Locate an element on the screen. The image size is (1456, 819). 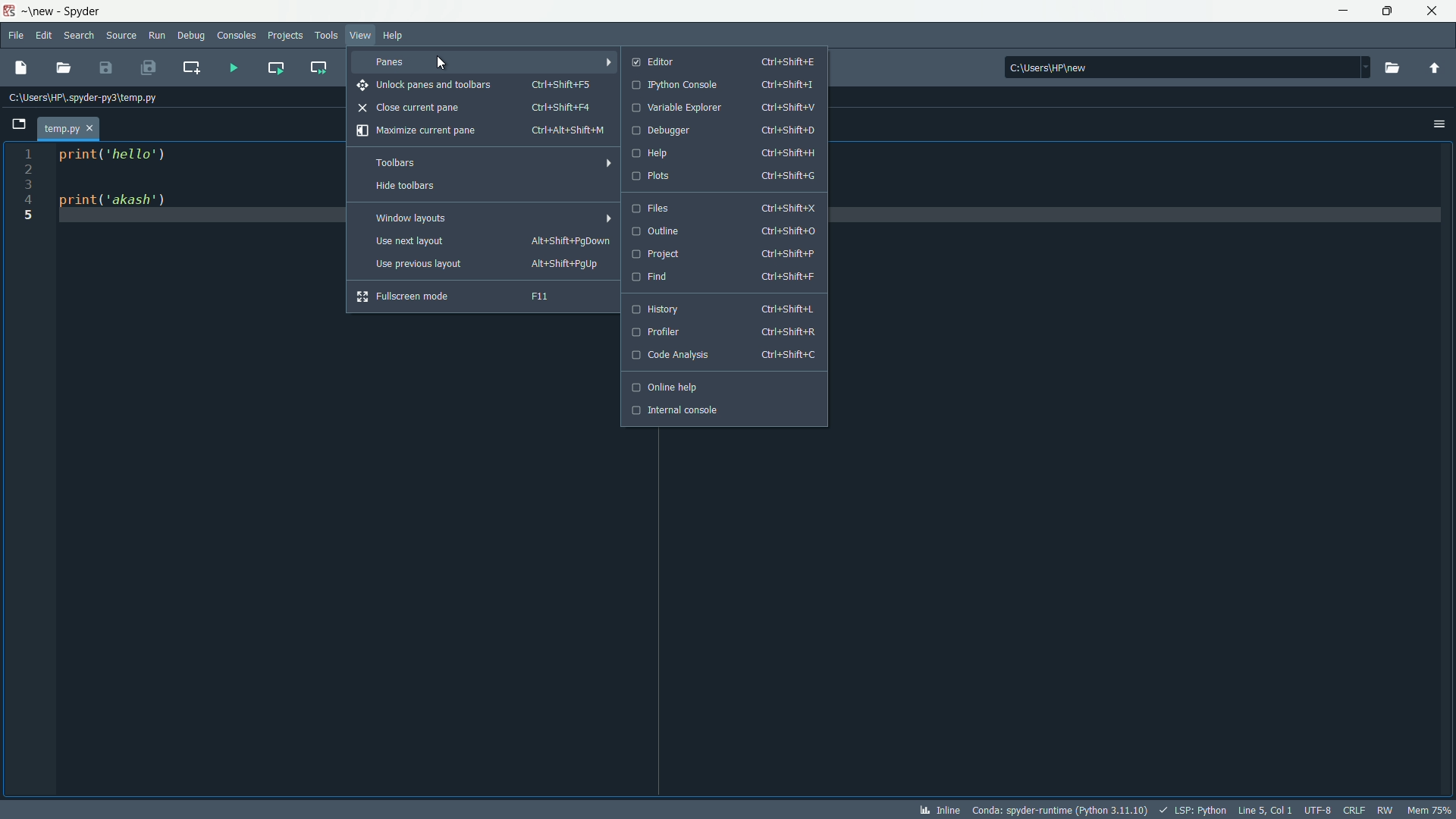
projects menu is located at coordinates (285, 35).